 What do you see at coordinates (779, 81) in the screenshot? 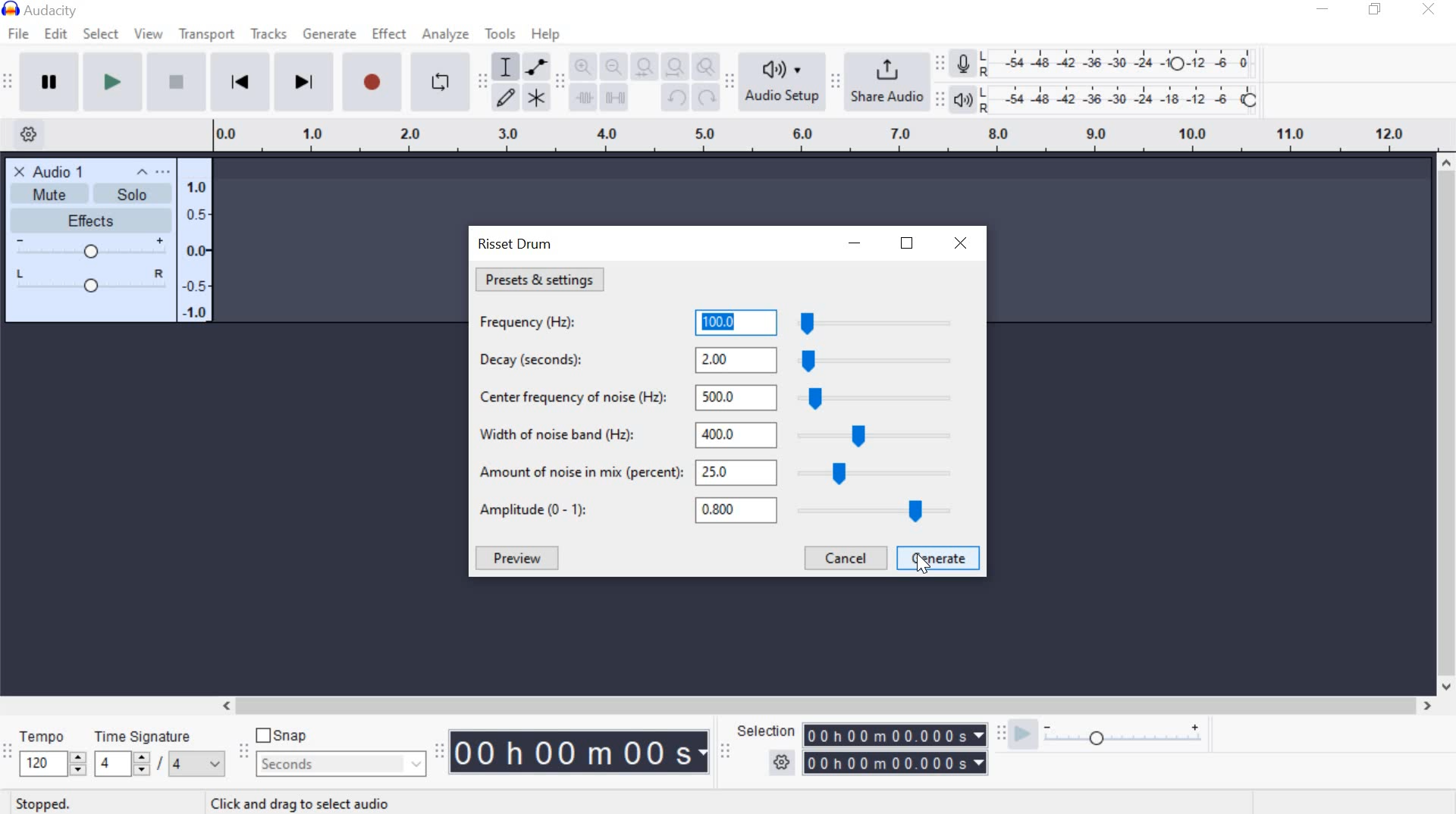
I see `Audio Setup` at bounding box center [779, 81].